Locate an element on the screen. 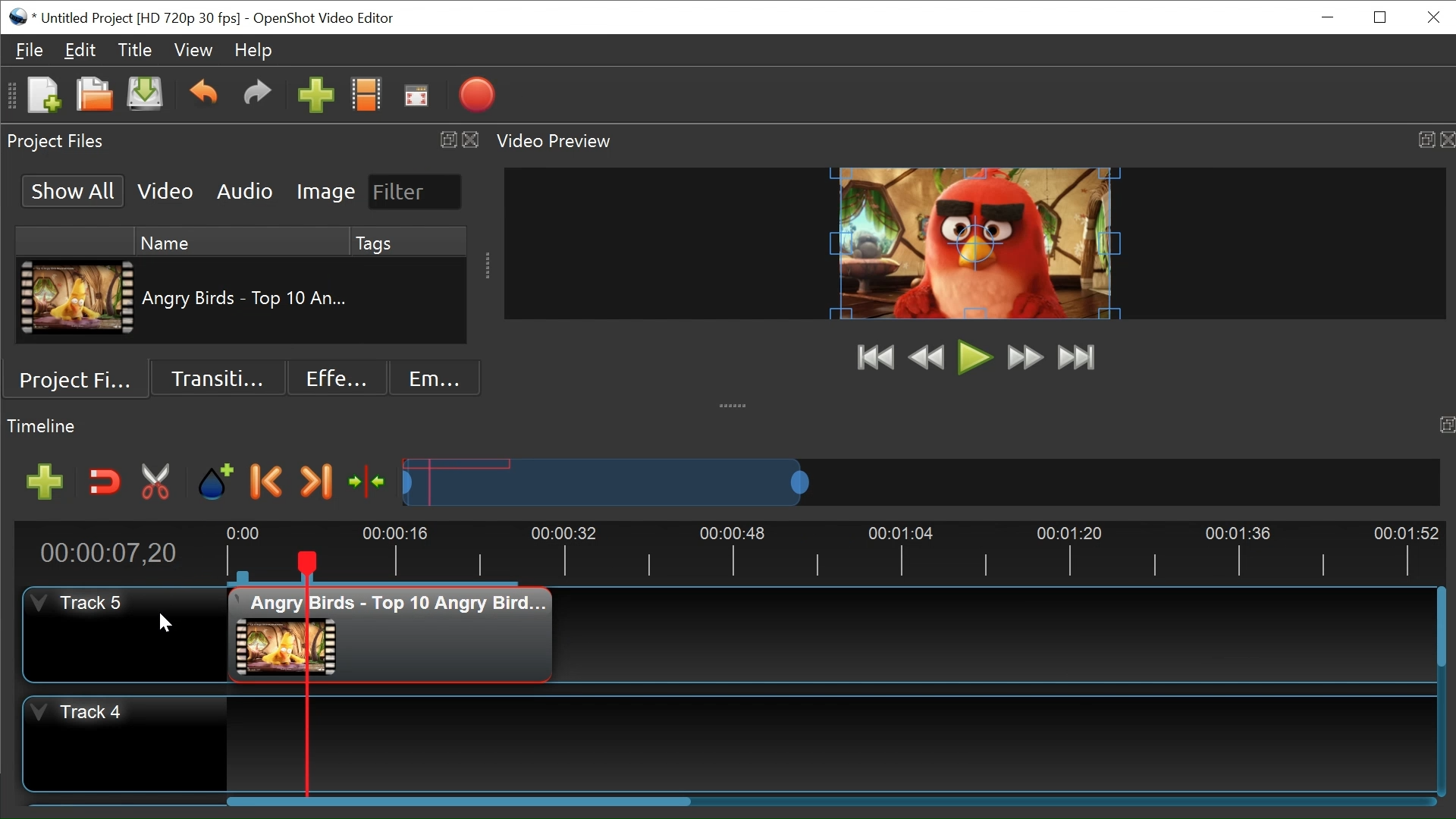  Jump to Start is located at coordinates (875, 358).